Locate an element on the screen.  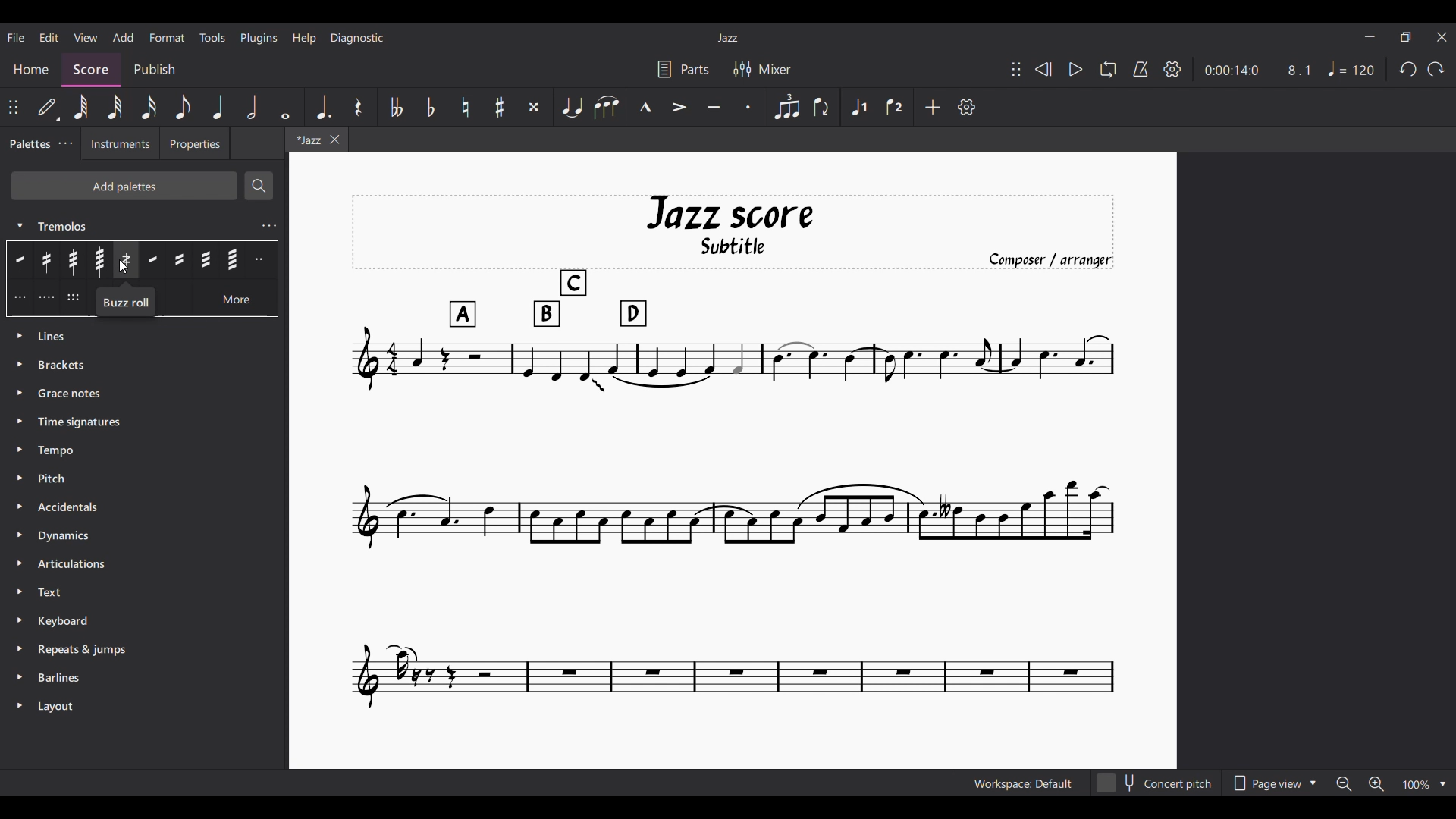
Repeats and jumps is located at coordinates (143, 650).